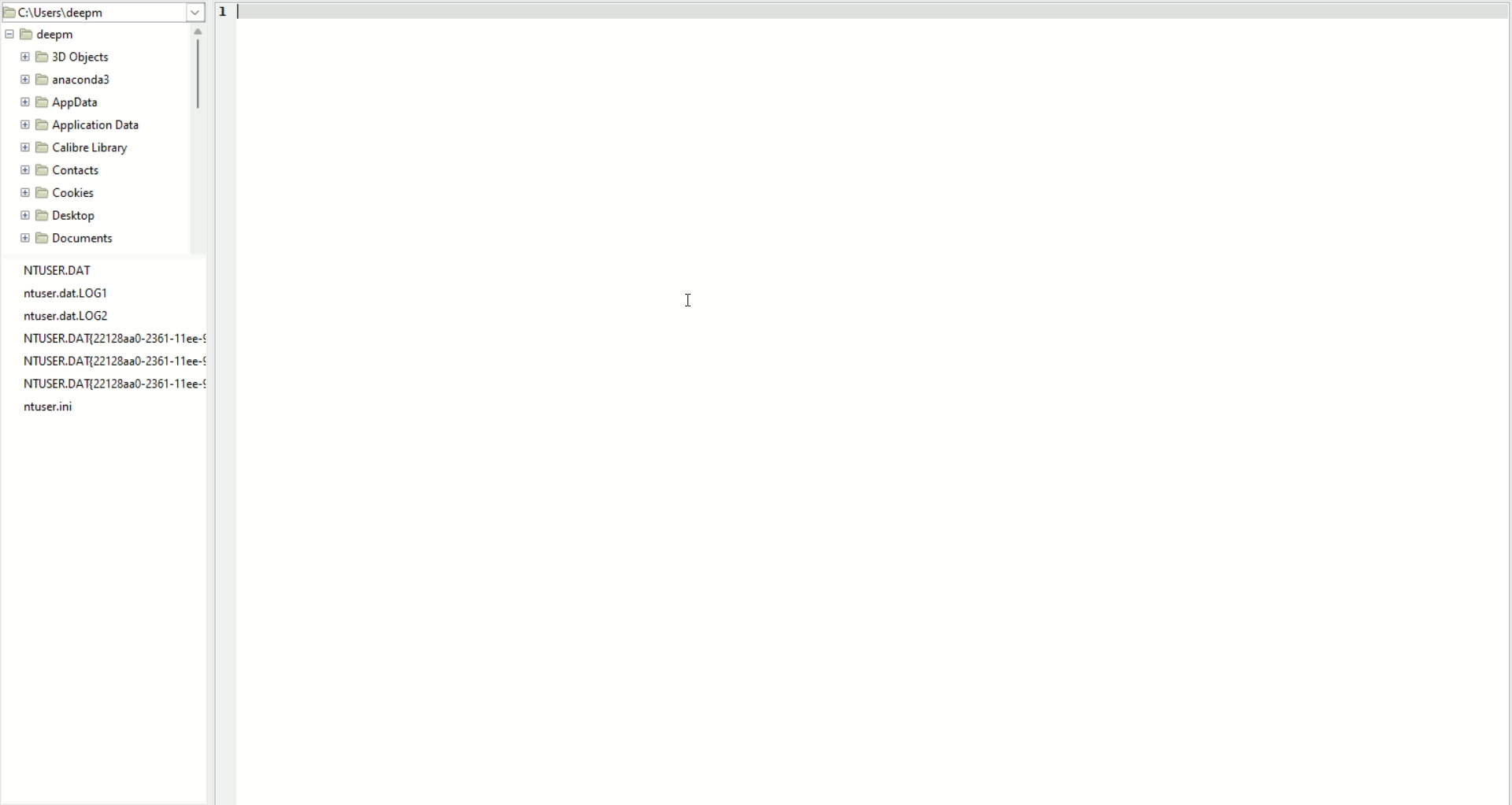 Image resolution: width=1512 pixels, height=805 pixels. What do you see at coordinates (113, 338) in the screenshot?
I see `file name` at bounding box center [113, 338].